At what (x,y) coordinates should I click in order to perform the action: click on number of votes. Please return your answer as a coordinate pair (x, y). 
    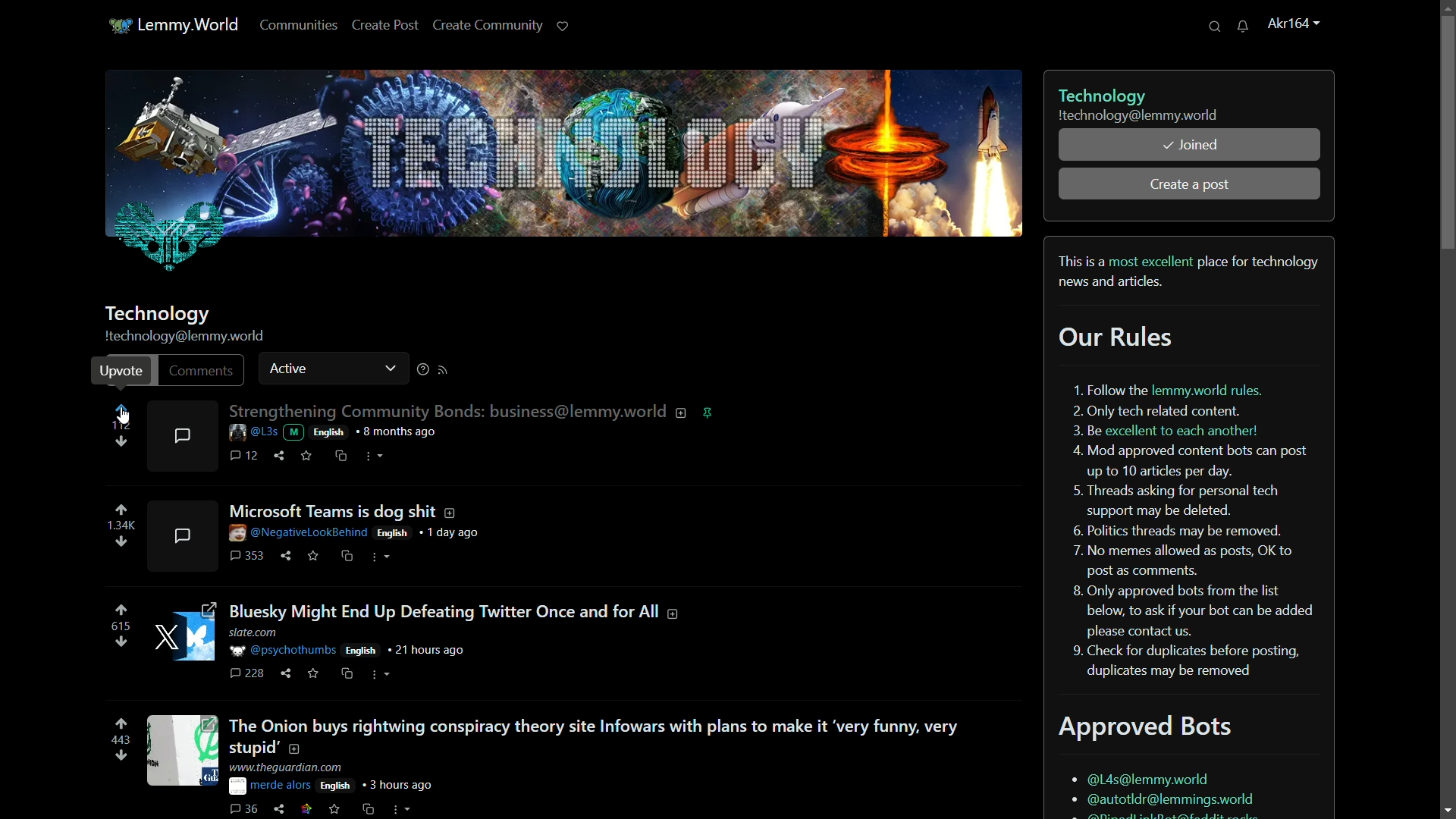
    Looking at the image, I should click on (121, 739).